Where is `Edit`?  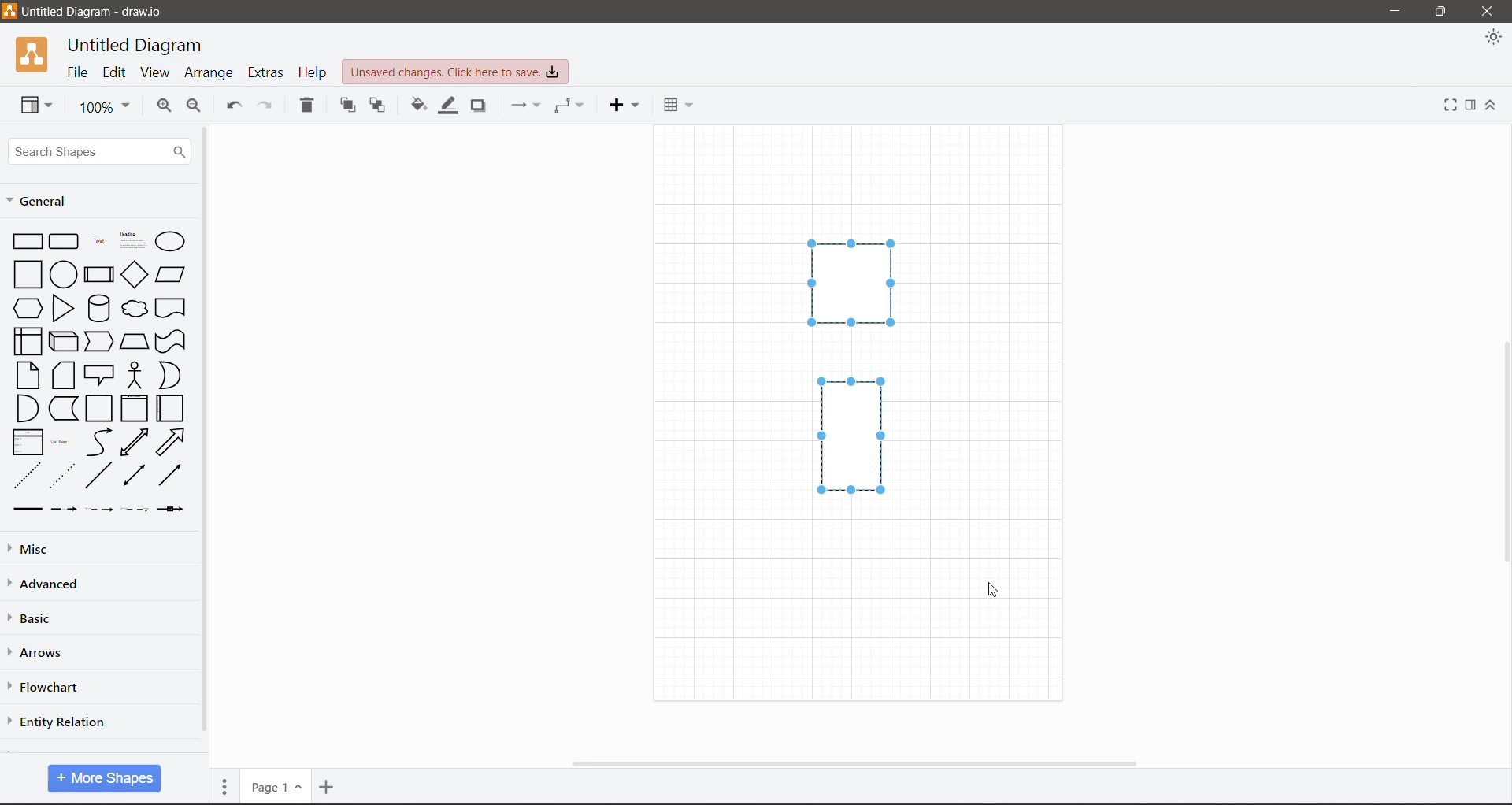
Edit is located at coordinates (115, 73).